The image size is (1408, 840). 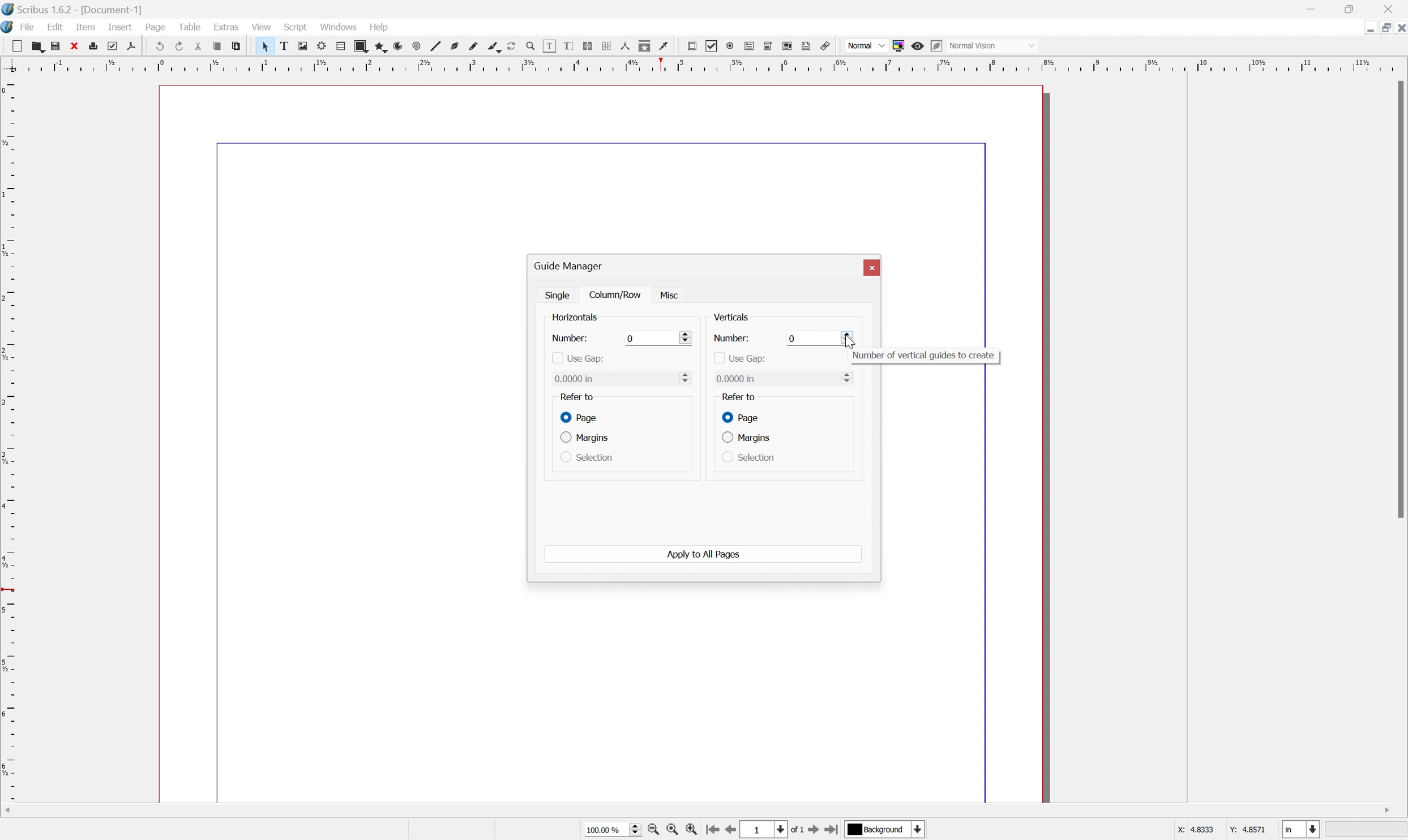 What do you see at coordinates (577, 416) in the screenshot?
I see `page` at bounding box center [577, 416].